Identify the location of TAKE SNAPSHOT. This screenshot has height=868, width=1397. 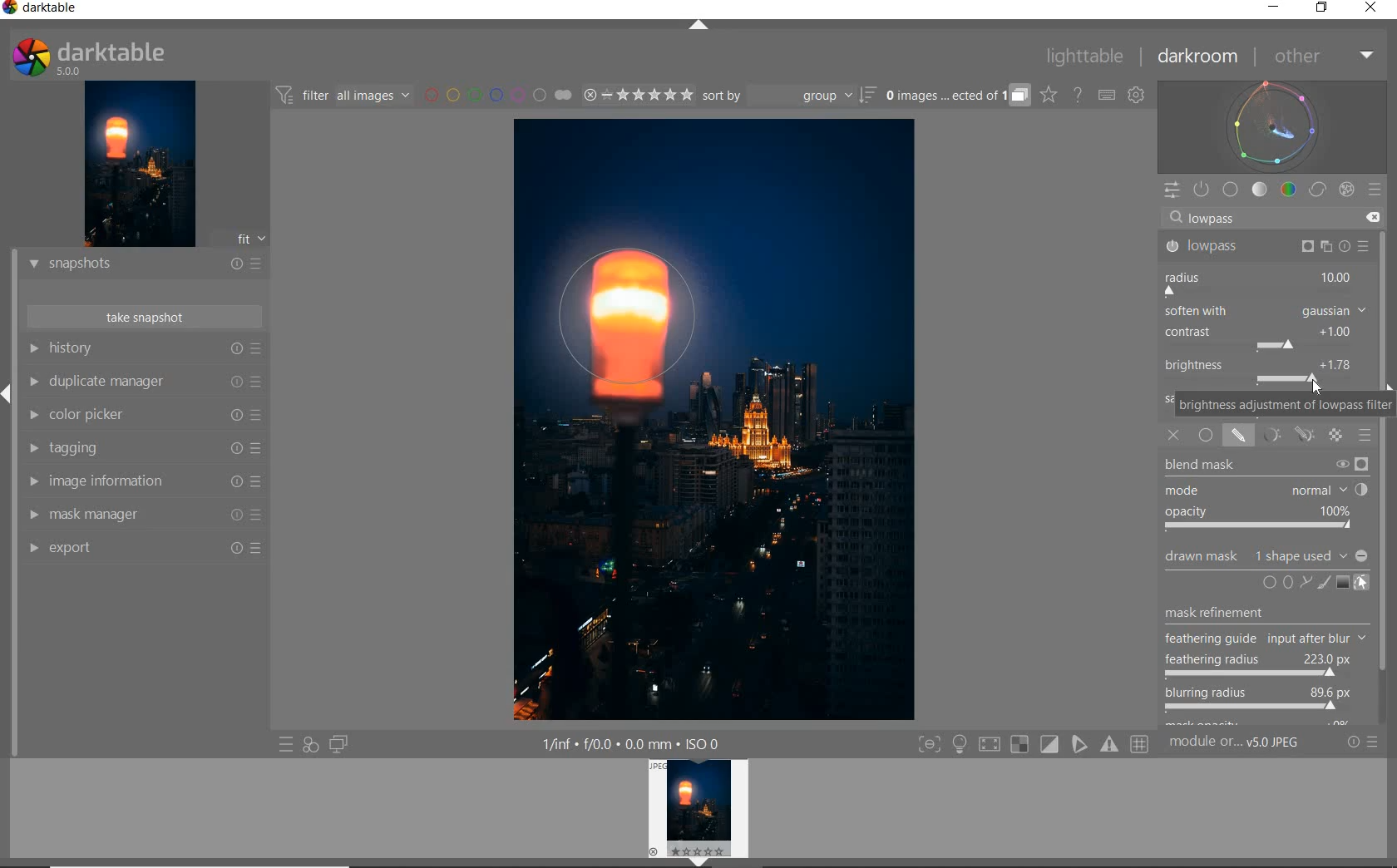
(143, 318).